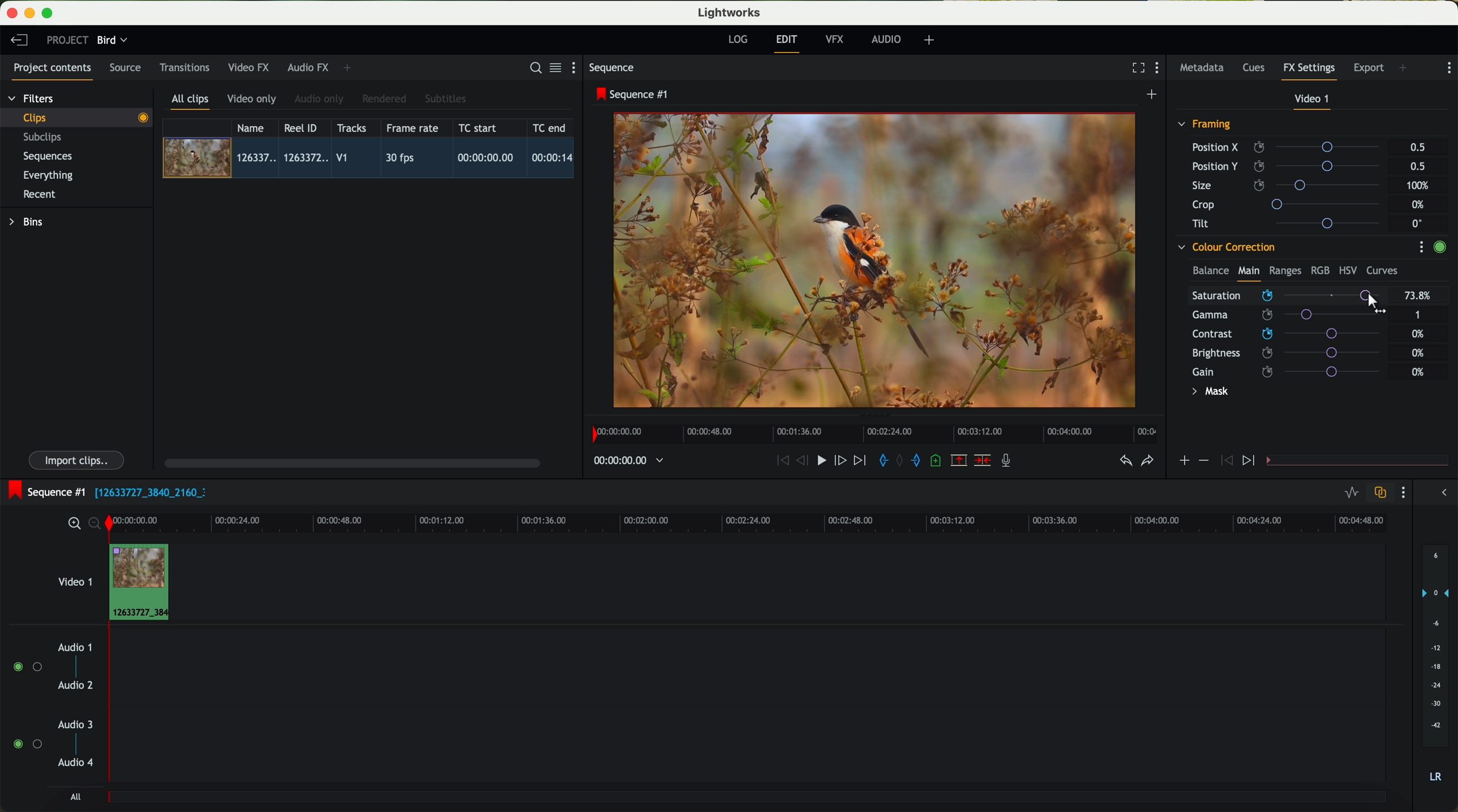 This screenshot has height=812, width=1458. What do you see at coordinates (1418, 148) in the screenshot?
I see `0.5` at bounding box center [1418, 148].